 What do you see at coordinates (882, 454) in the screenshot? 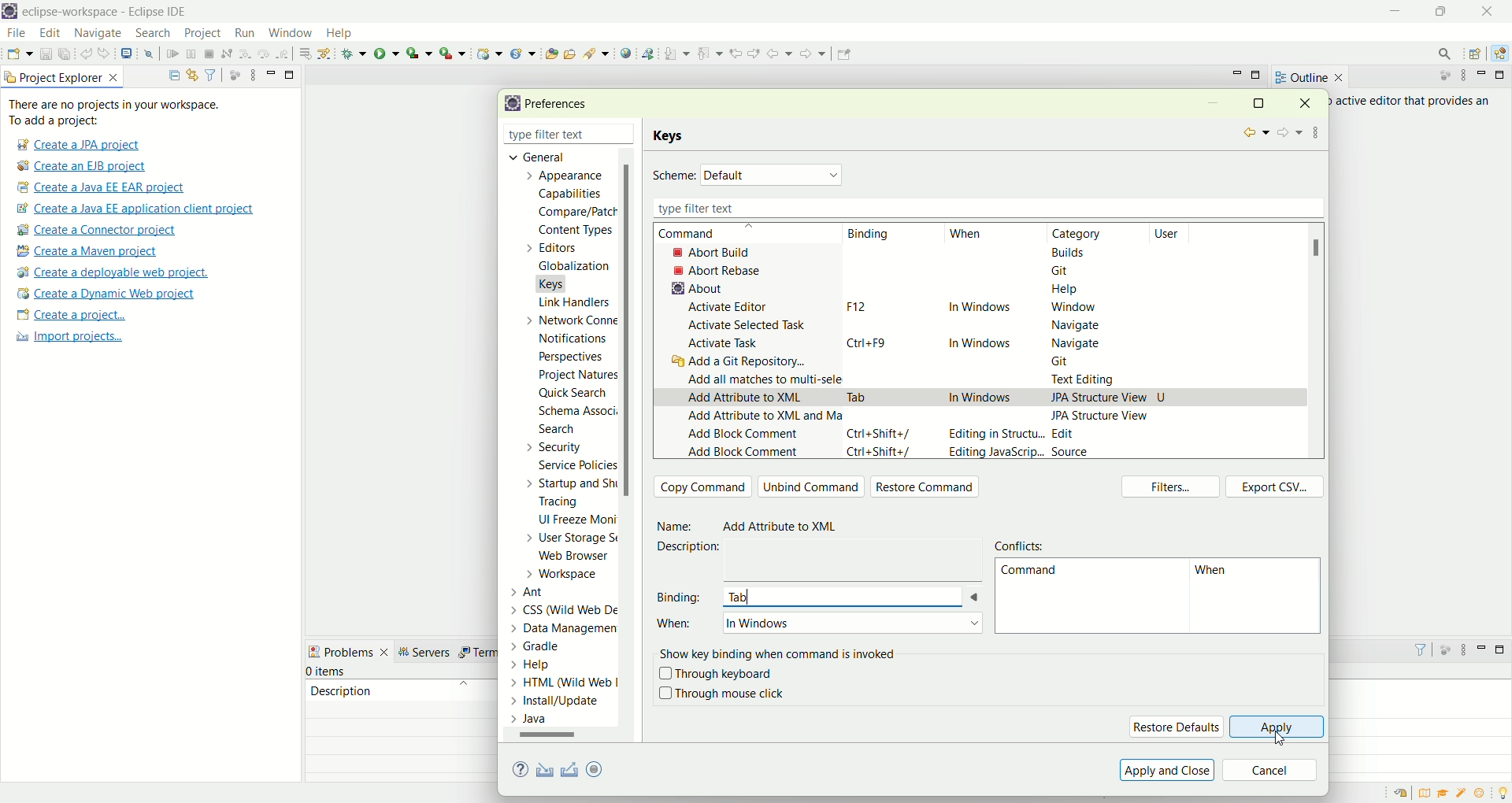
I see `ctrl+shift+/` at bounding box center [882, 454].